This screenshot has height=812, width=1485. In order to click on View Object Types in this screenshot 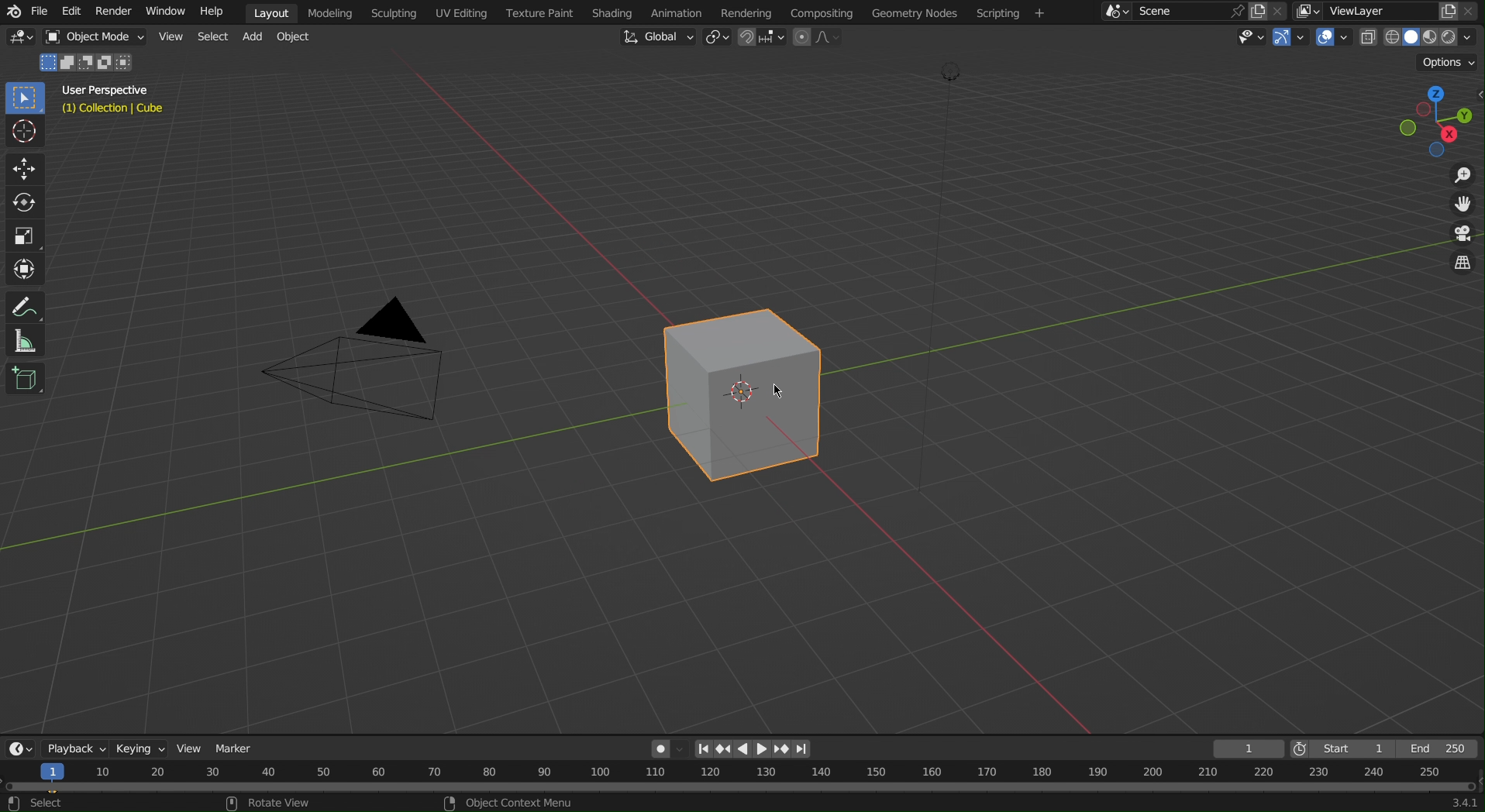, I will do `click(1253, 38)`.